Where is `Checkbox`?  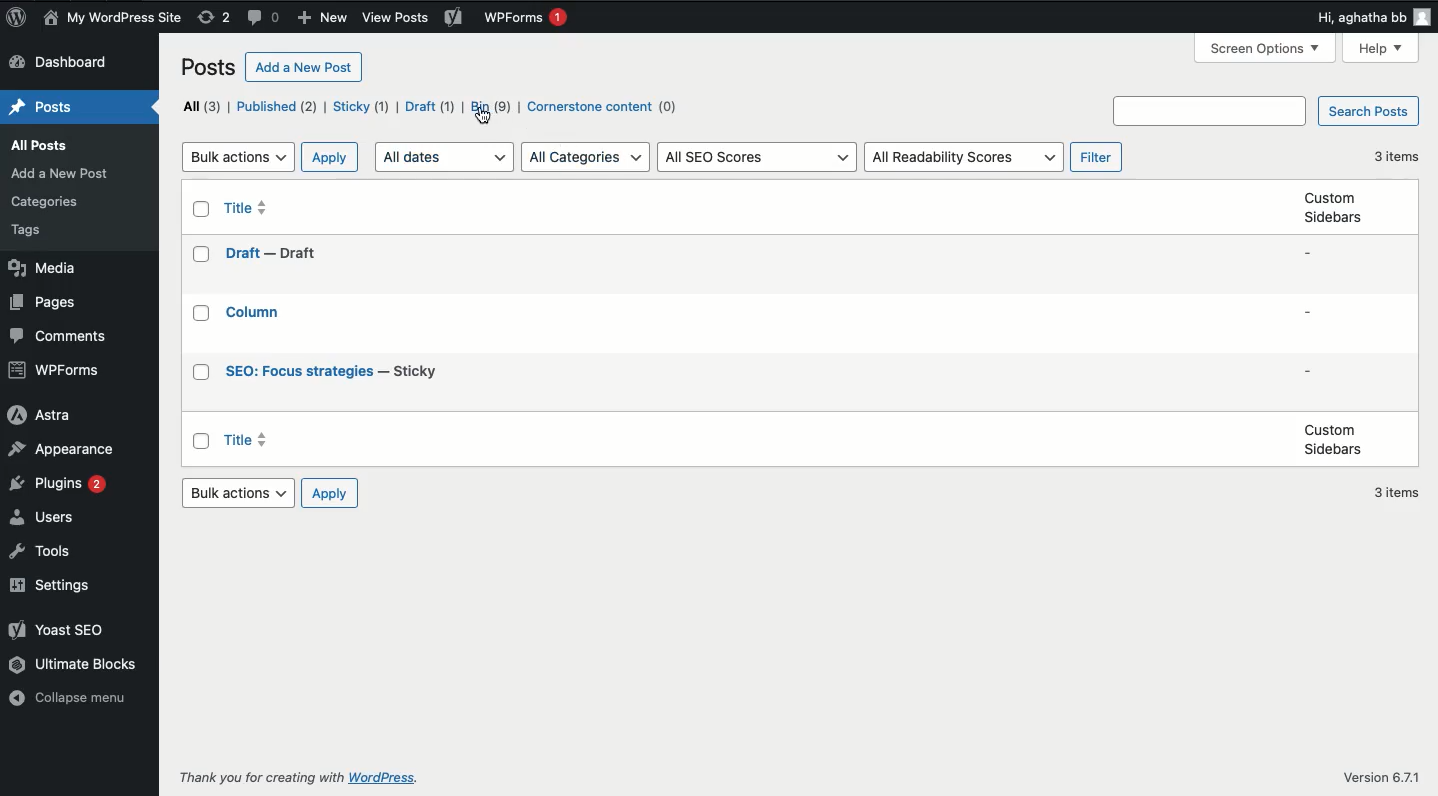 Checkbox is located at coordinates (203, 314).